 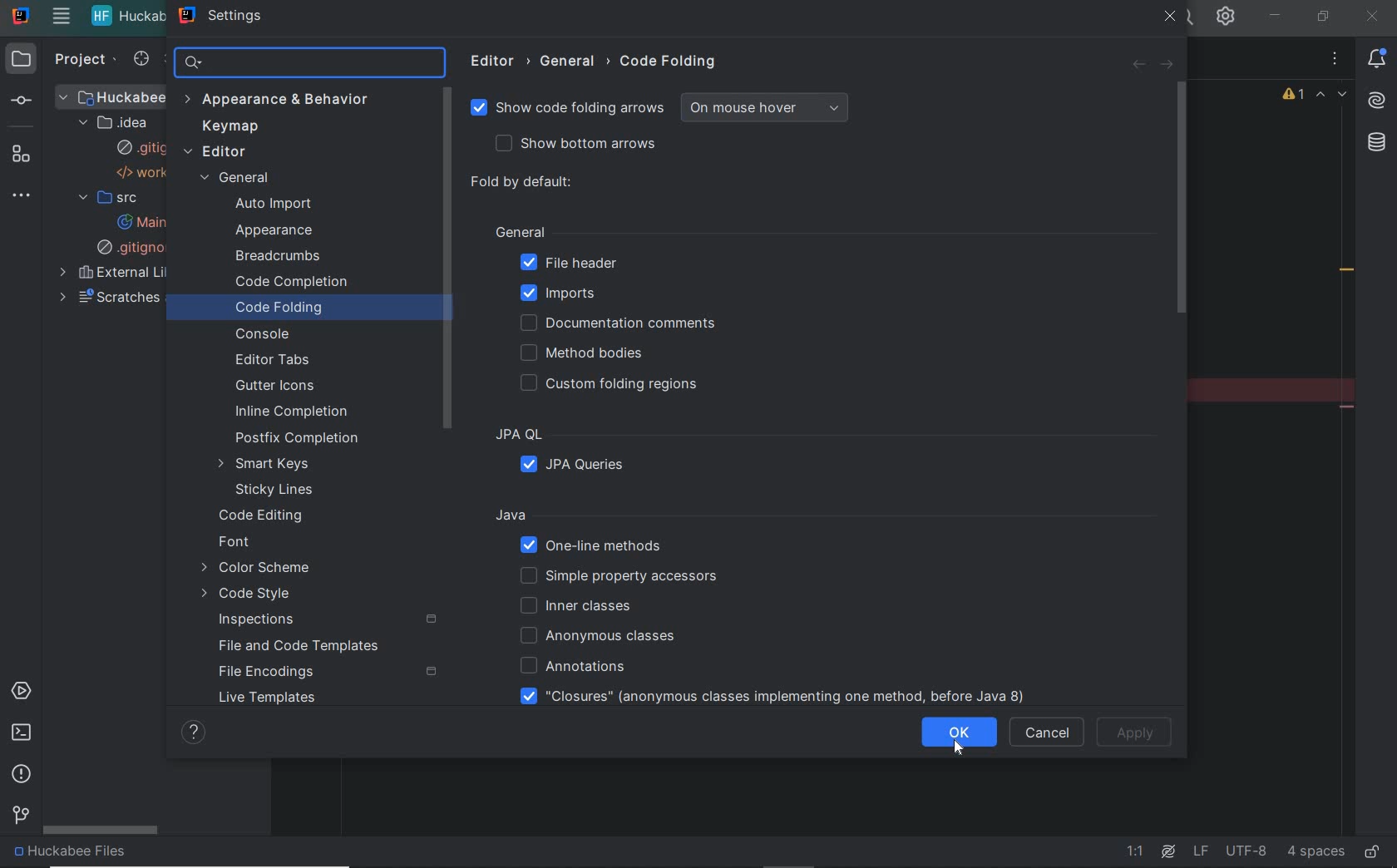 I want to click on documentation comments, so click(x=622, y=323).